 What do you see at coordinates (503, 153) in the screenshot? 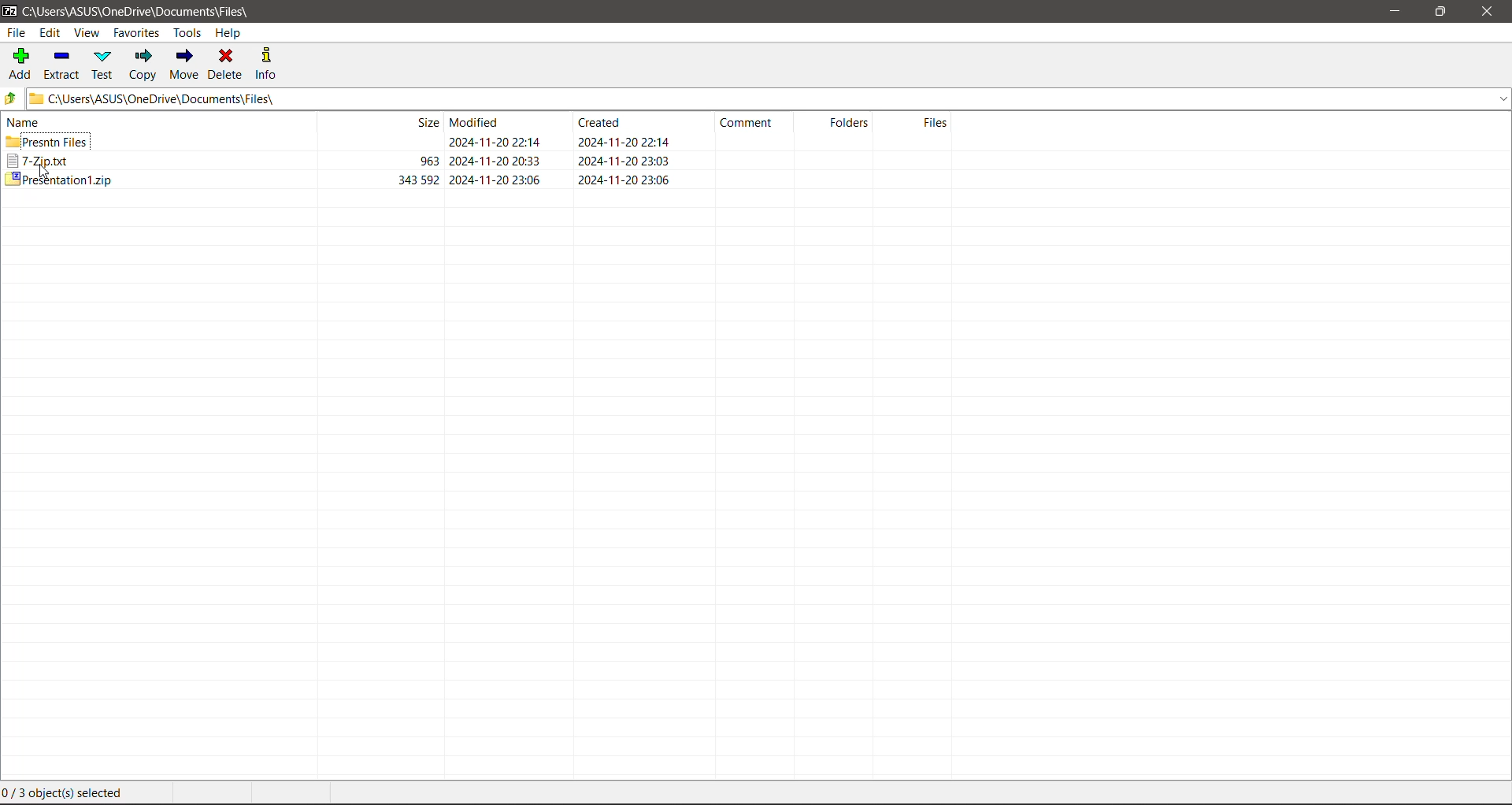
I see `Modified` at bounding box center [503, 153].